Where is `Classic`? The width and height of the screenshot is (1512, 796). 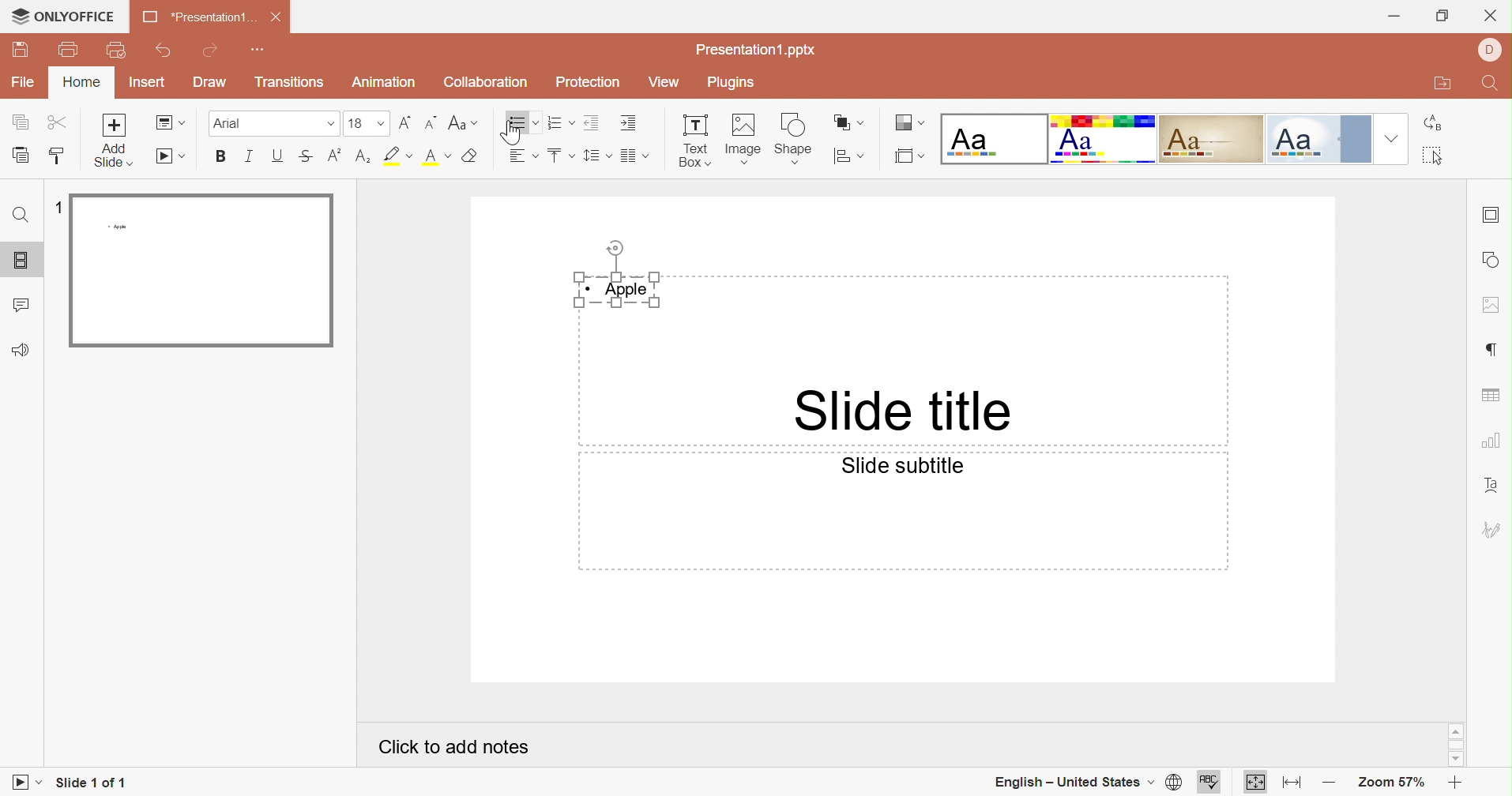 Classic is located at coordinates (1213, 140).